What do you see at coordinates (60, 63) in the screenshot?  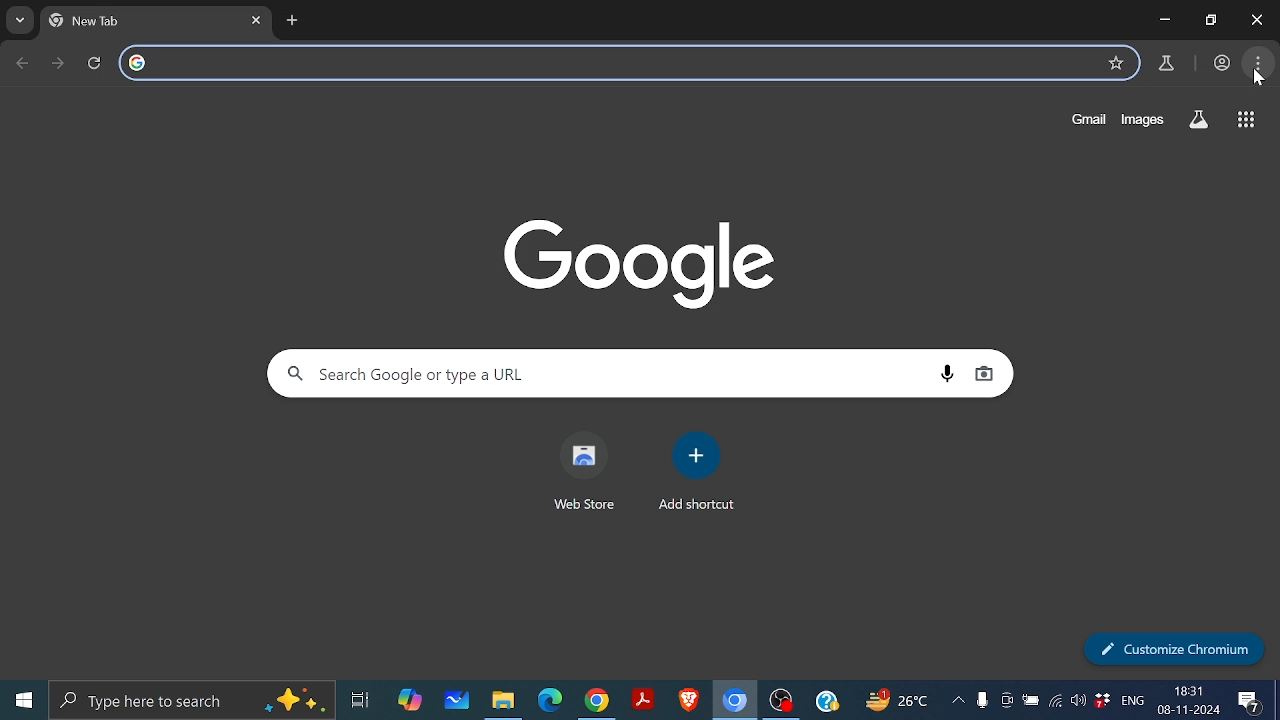 I see `Go to next page` at bounding box center [60, 63].